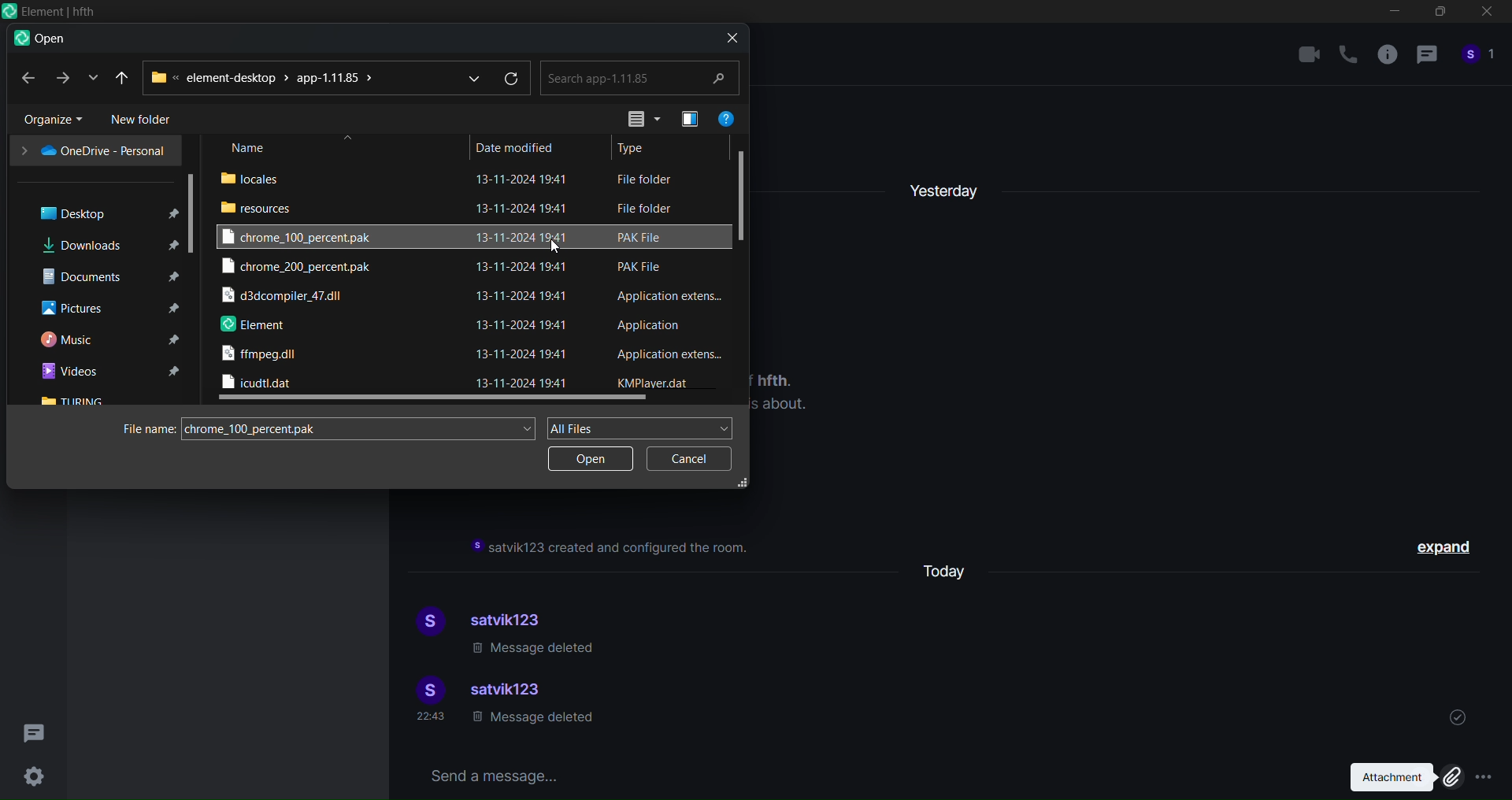  Describe the element at coordinates (49, 12) in the screenshot. I see `Icon` at that location.